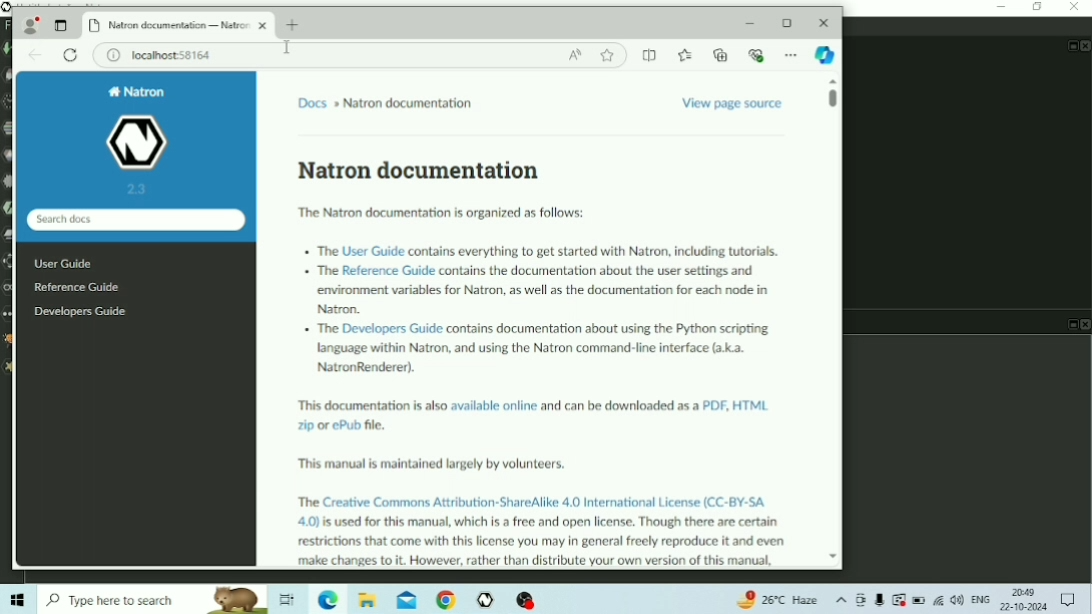  I want to click on Reference Guide, so click(73, 288).